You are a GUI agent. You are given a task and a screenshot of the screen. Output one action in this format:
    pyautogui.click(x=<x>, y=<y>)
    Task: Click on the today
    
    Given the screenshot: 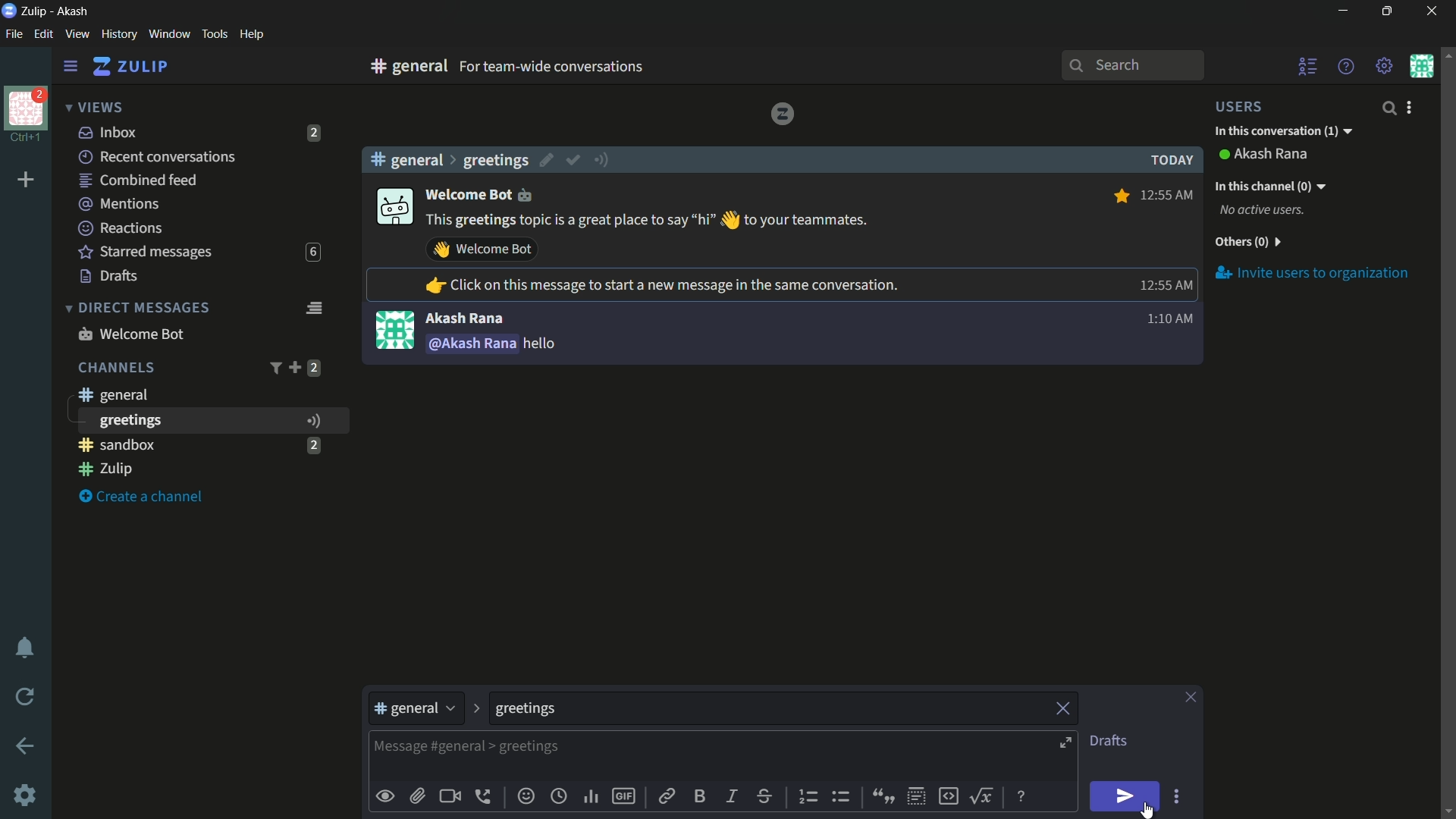 What is the action you would take?
    pyautogui.click(x=1168, y=160)
    